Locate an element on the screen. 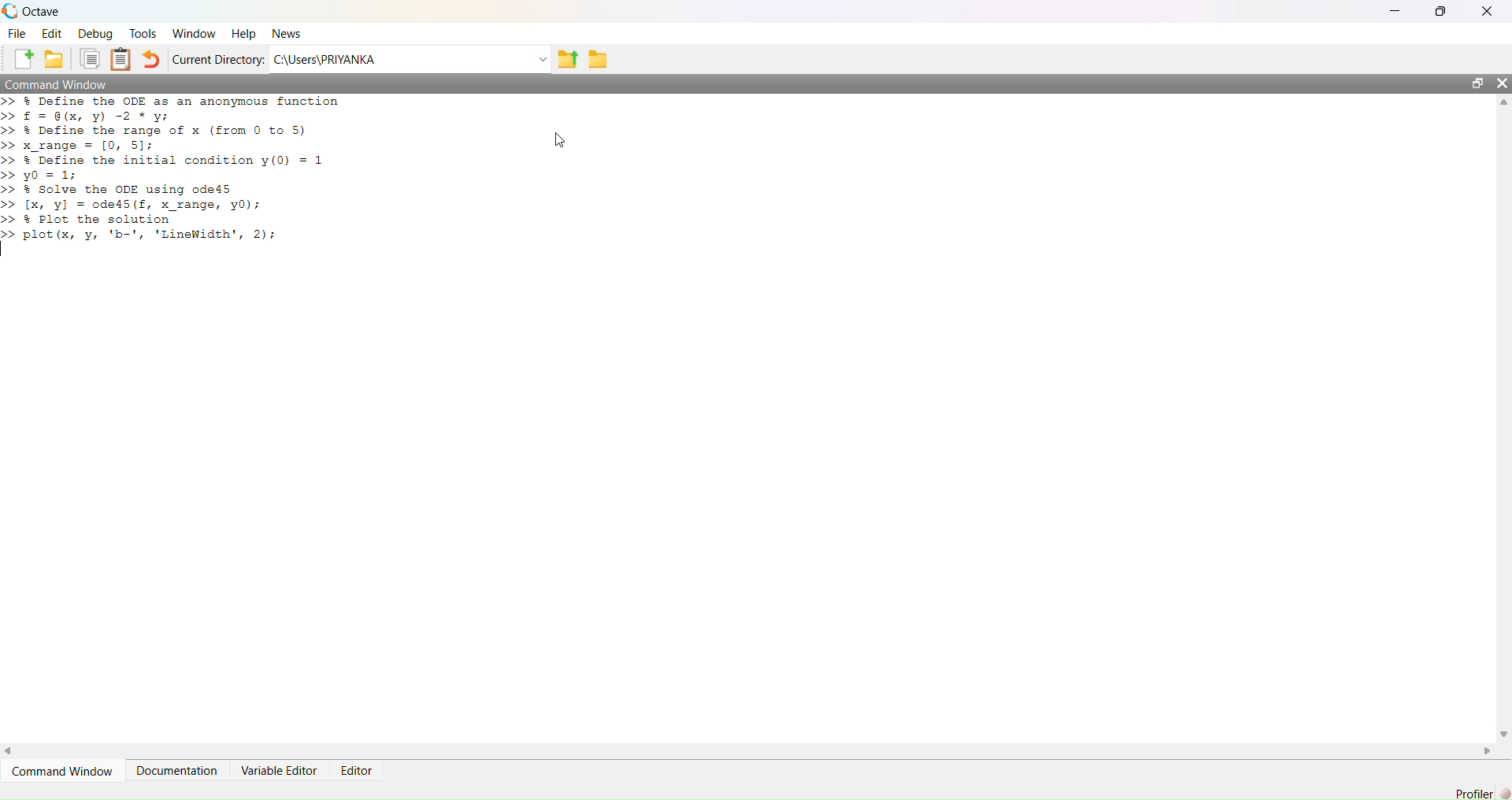  Octave logo is located at coordinates (10, 11).